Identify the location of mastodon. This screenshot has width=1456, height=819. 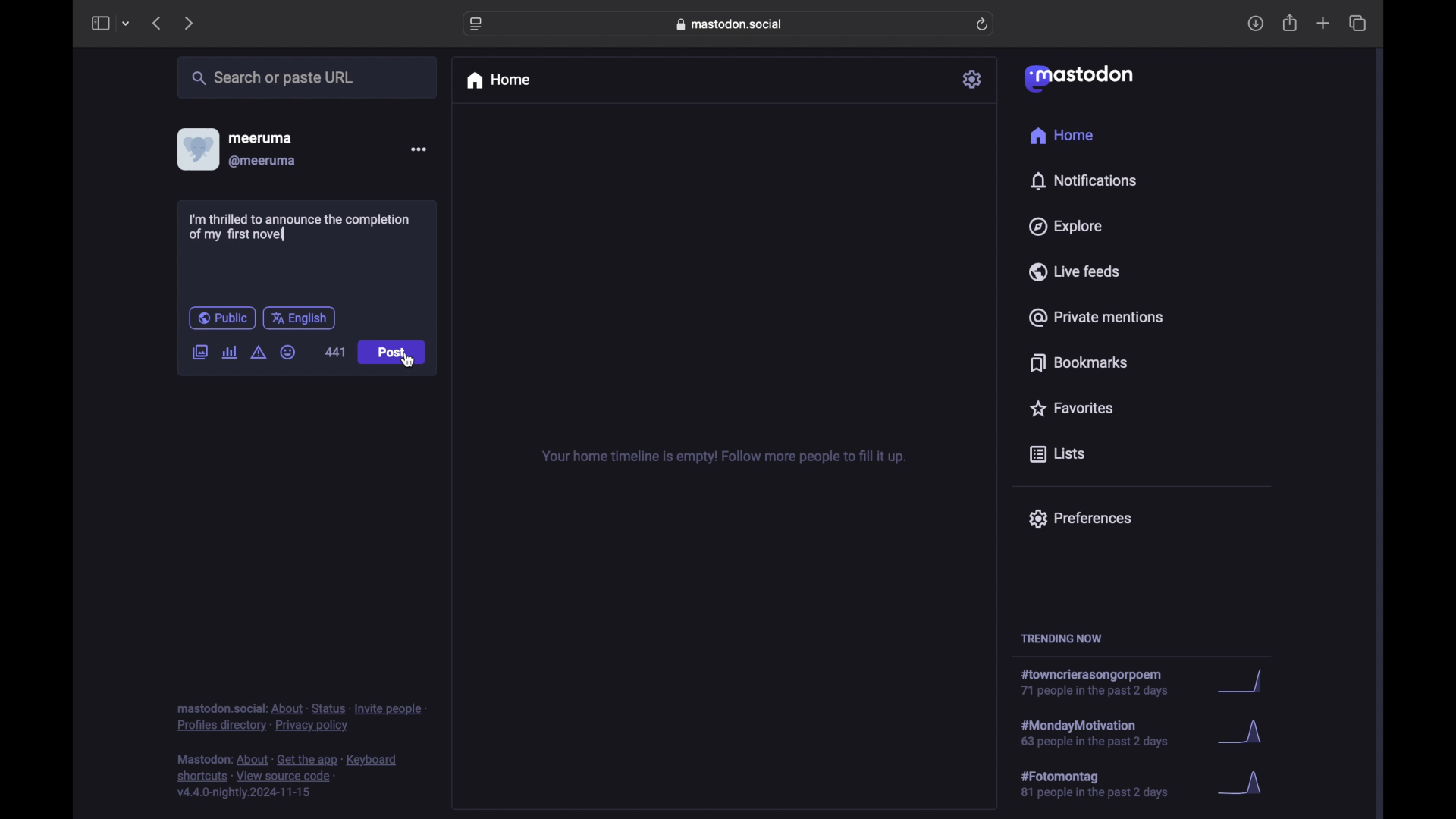
(1079, 79).